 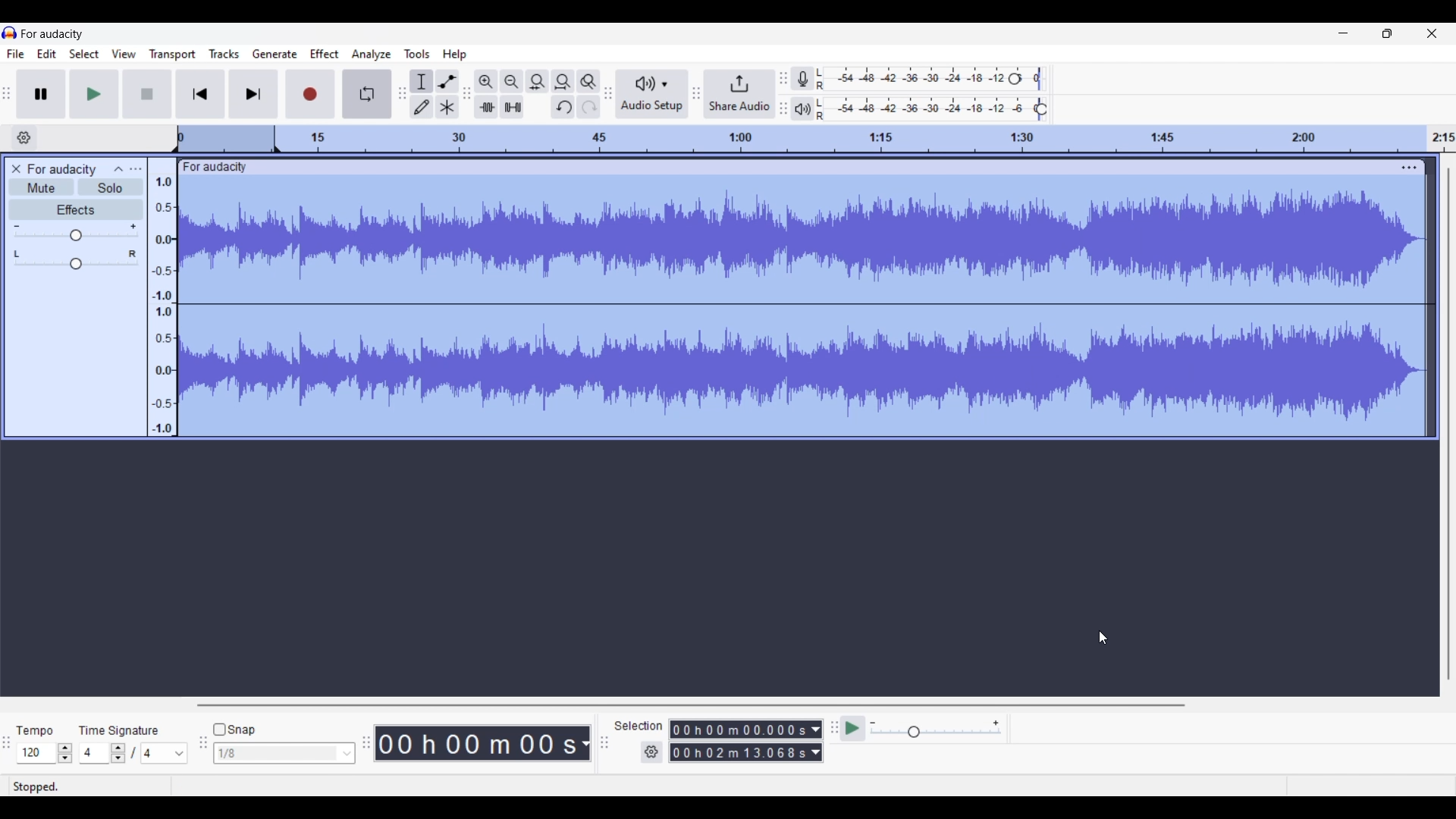 I want to click on Change gain, so click(x=76, y=236).